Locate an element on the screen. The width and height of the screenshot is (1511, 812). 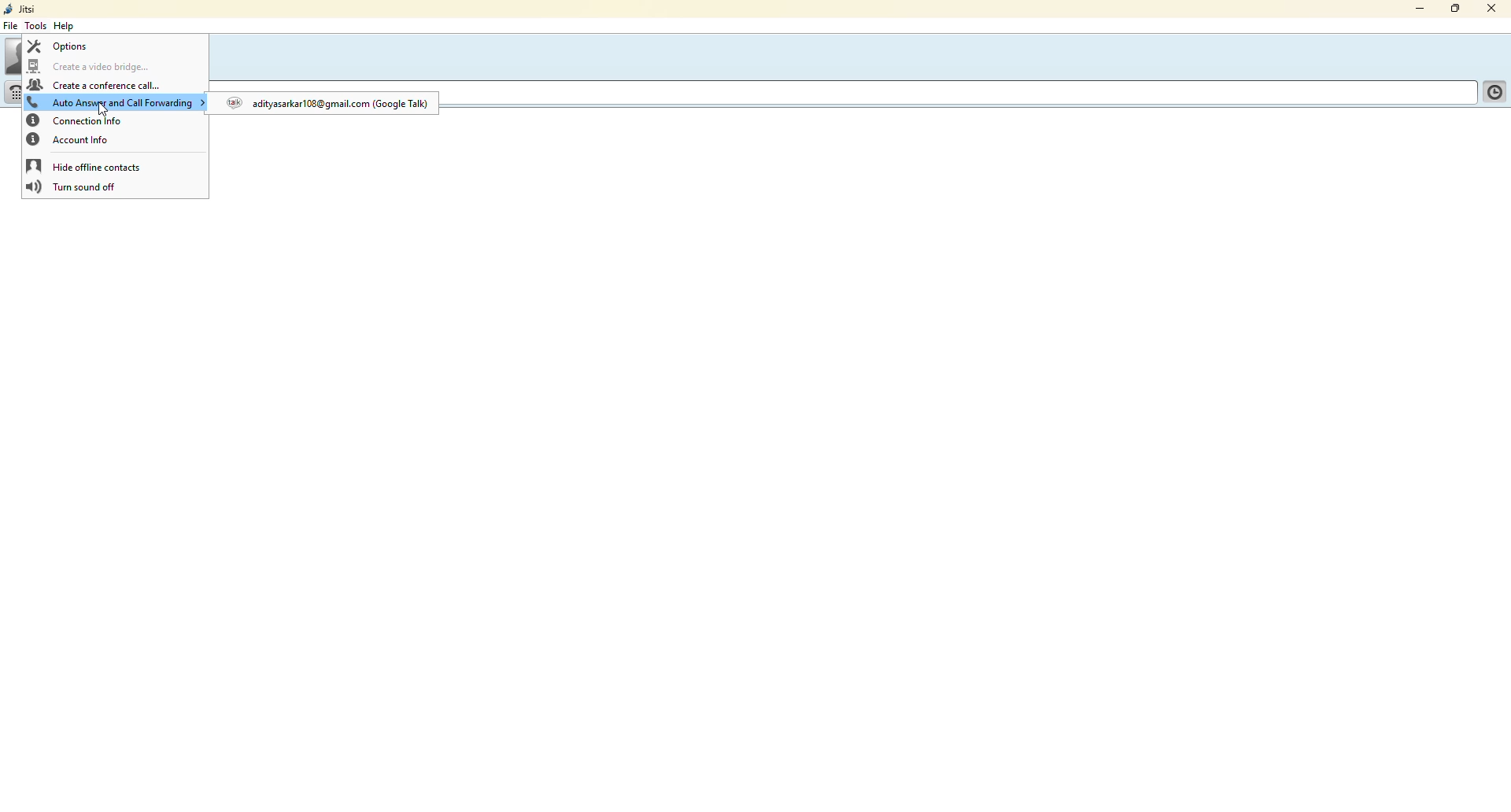
mil. com (Google Talk)
@ adityasarkarl08@gmail — is located at coordinates (342, 102).